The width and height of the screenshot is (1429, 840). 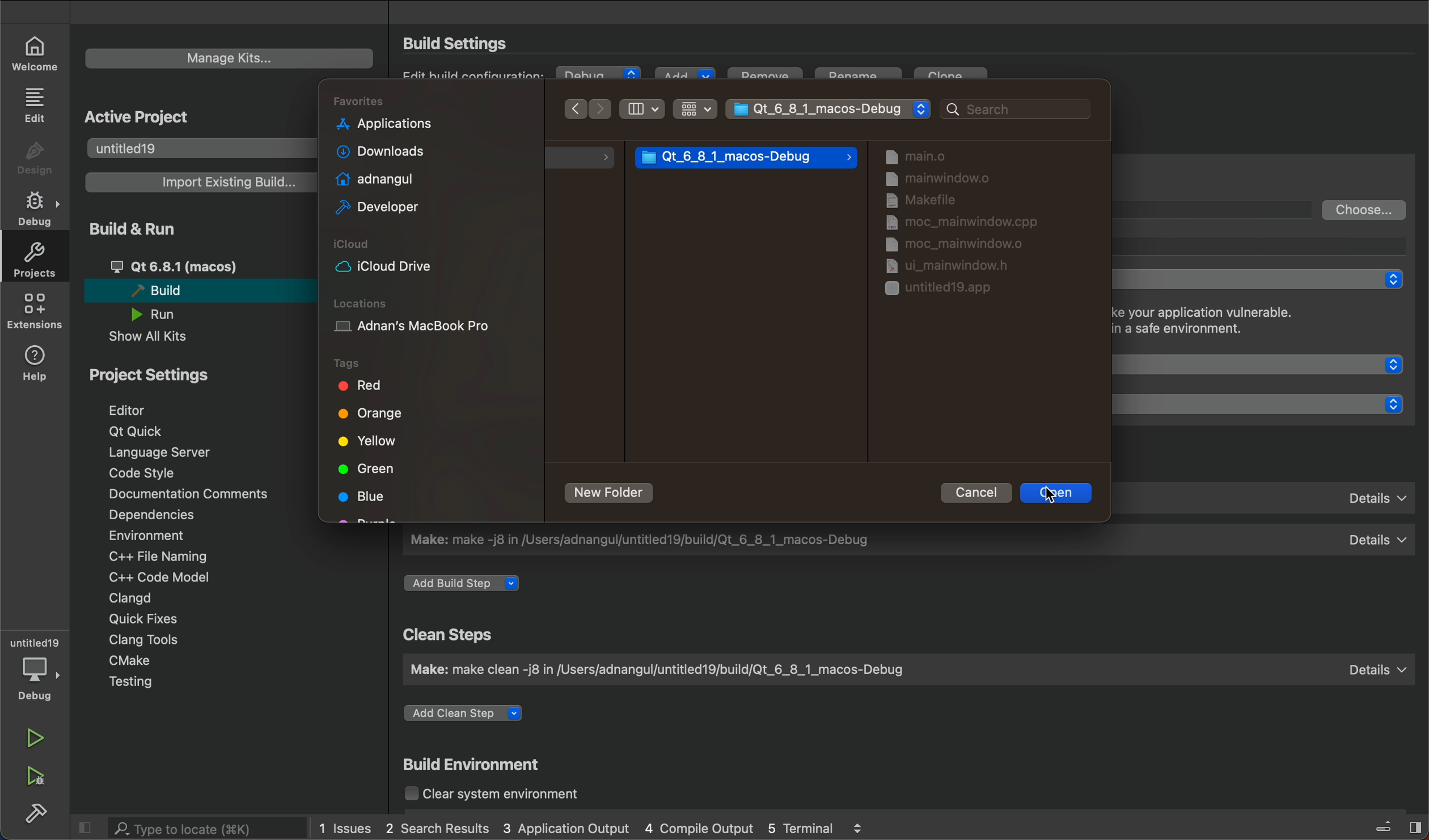 What do you see at coordinates (428, 319) in the screenshot?
I see `location` at bounding box center [428, 319].